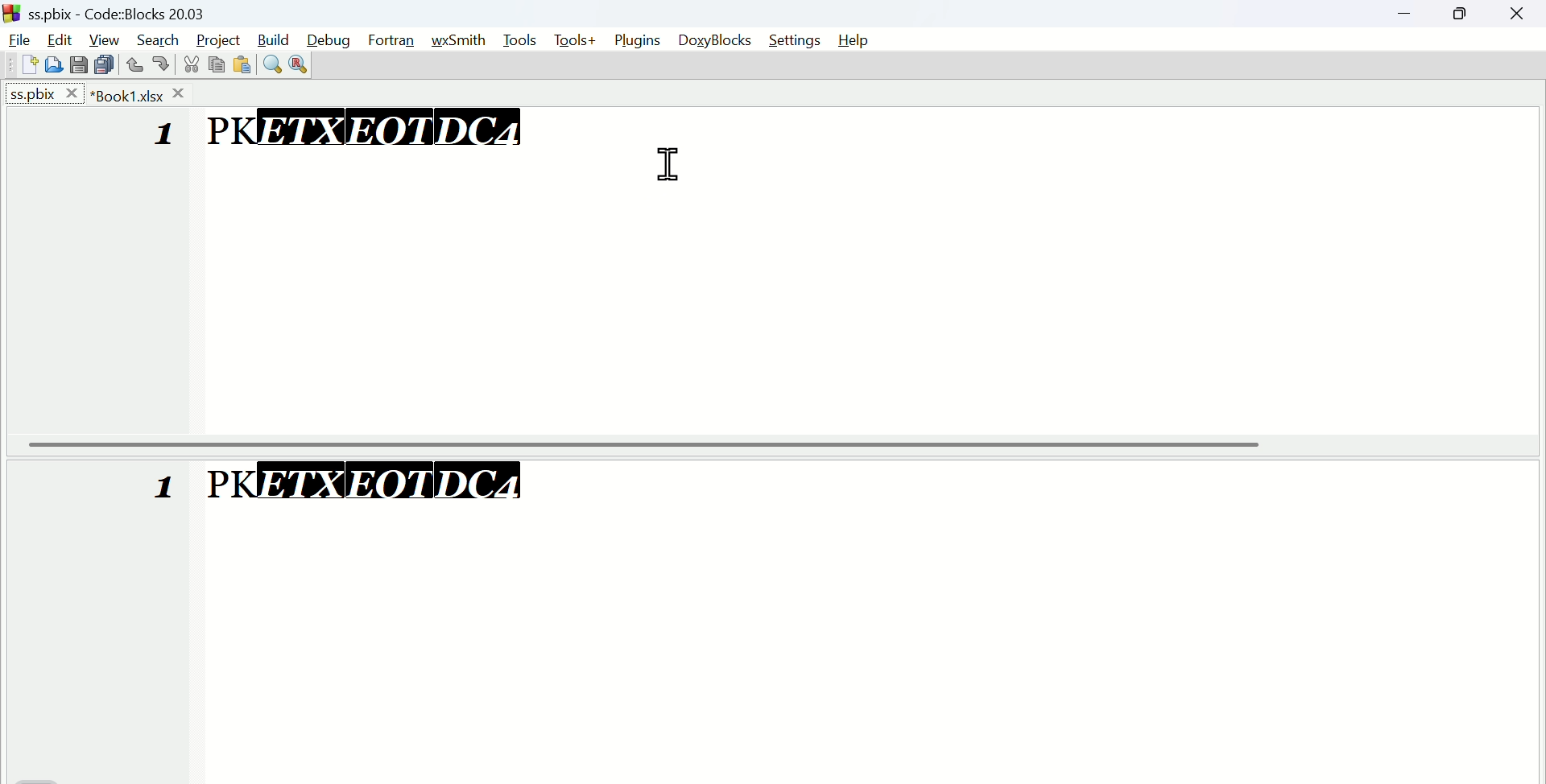 Image resolution: width=1546 pixels, height=784 pixels. What do you see at coordinates (670, 166) in the screenshot?
I see `Cursor` at bounding box center [670, 166].